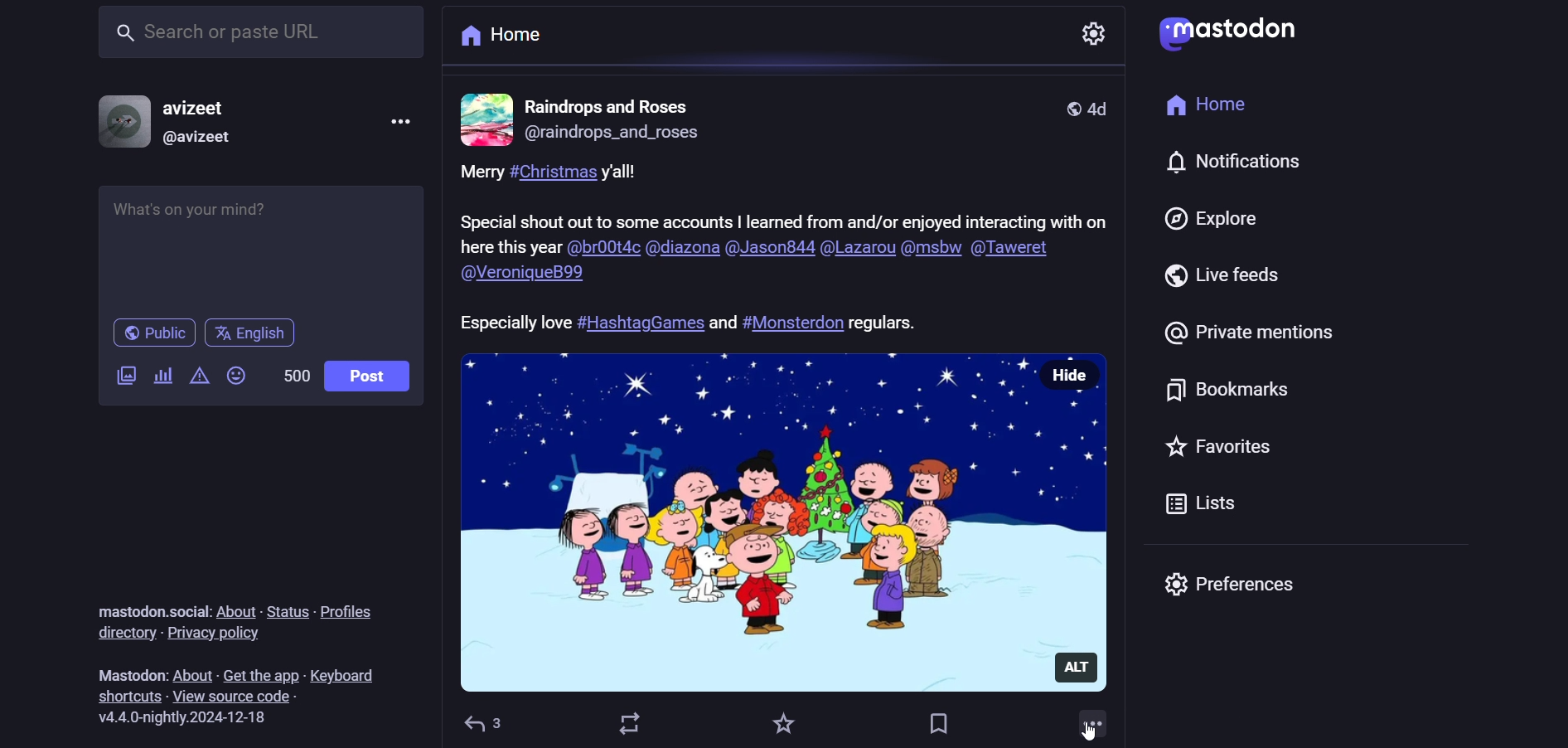 This screenshot has height=748, width=1568. What do you see at coordinates (932, 251) in the screenshot?
I see `@msbw` at bounding box center [932, 251].